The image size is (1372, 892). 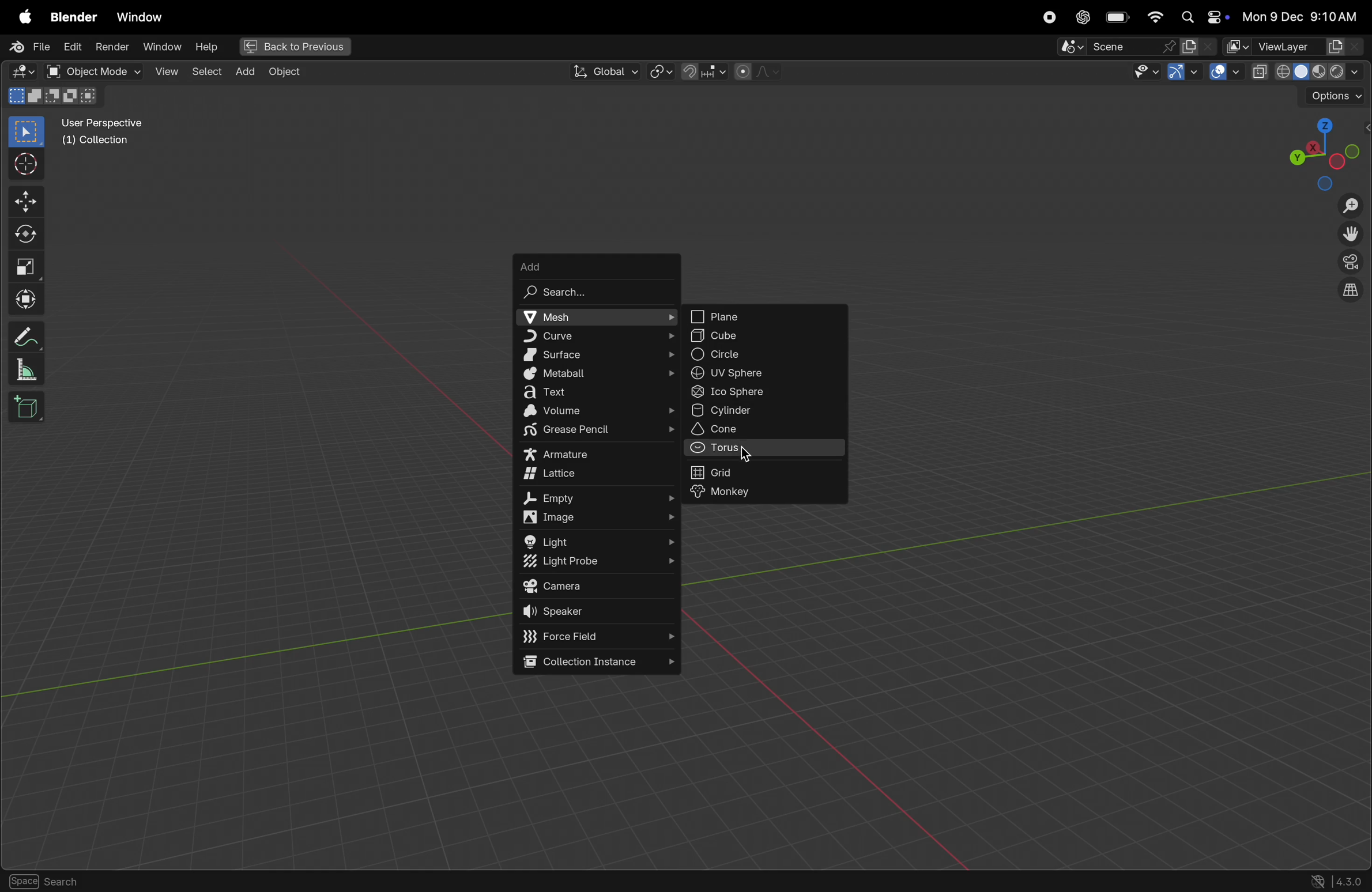 What do you see at coordinates (1335, 97) in the screenshot?
I see `options` at bounding box center [1335, 97].